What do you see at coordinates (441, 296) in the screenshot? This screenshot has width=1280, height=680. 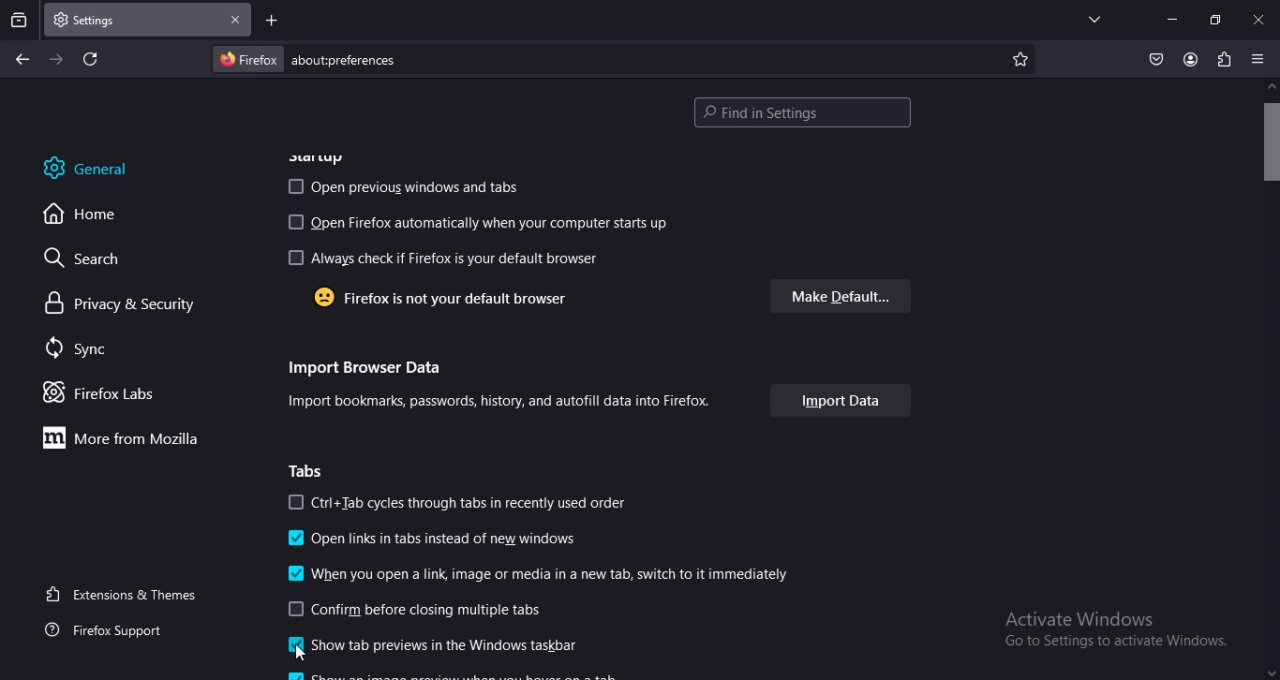 I see `Firefox is not your default browser` at bounding box center [441, 296].